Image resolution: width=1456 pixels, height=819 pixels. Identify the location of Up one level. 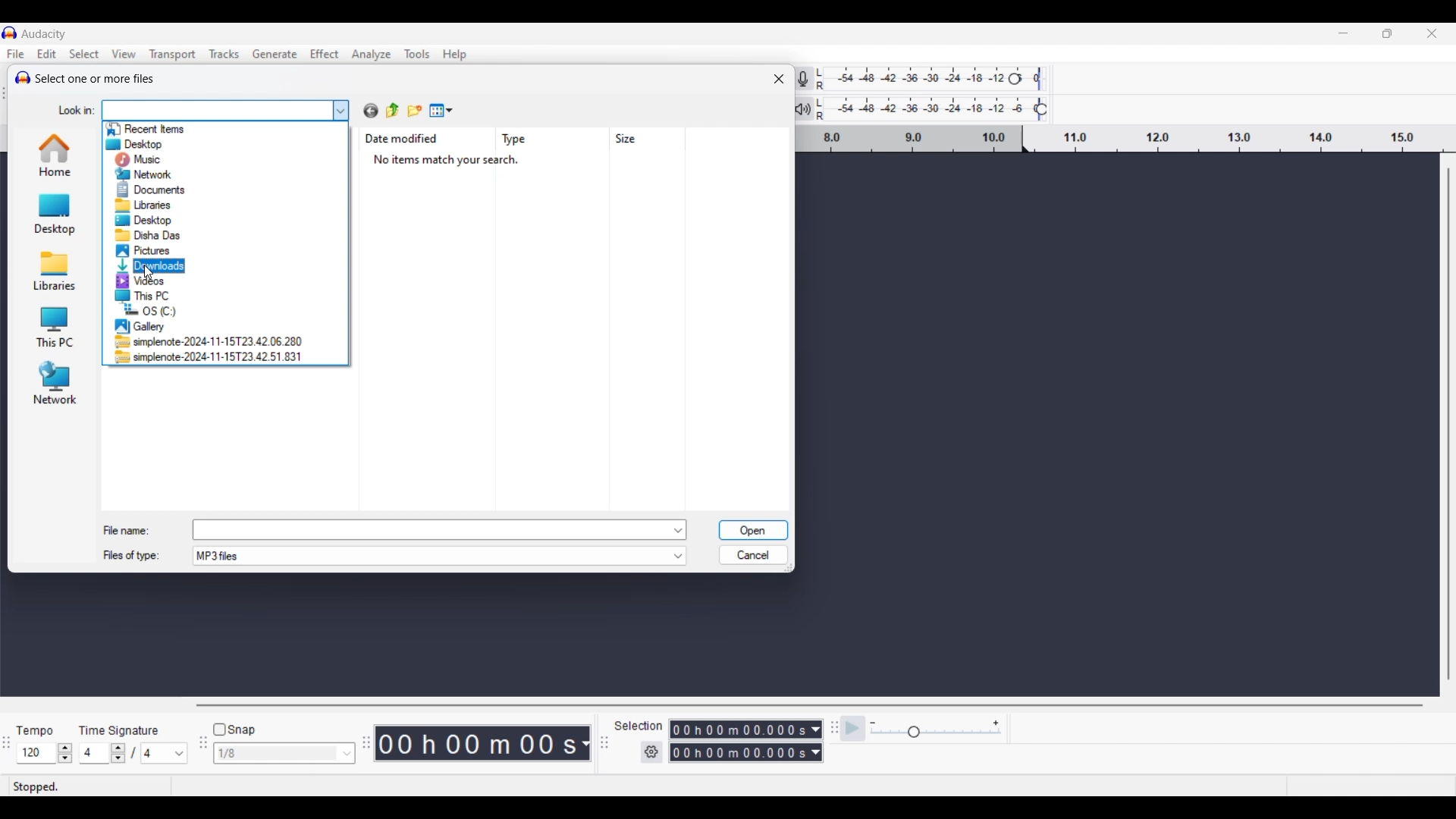
(393, 111).